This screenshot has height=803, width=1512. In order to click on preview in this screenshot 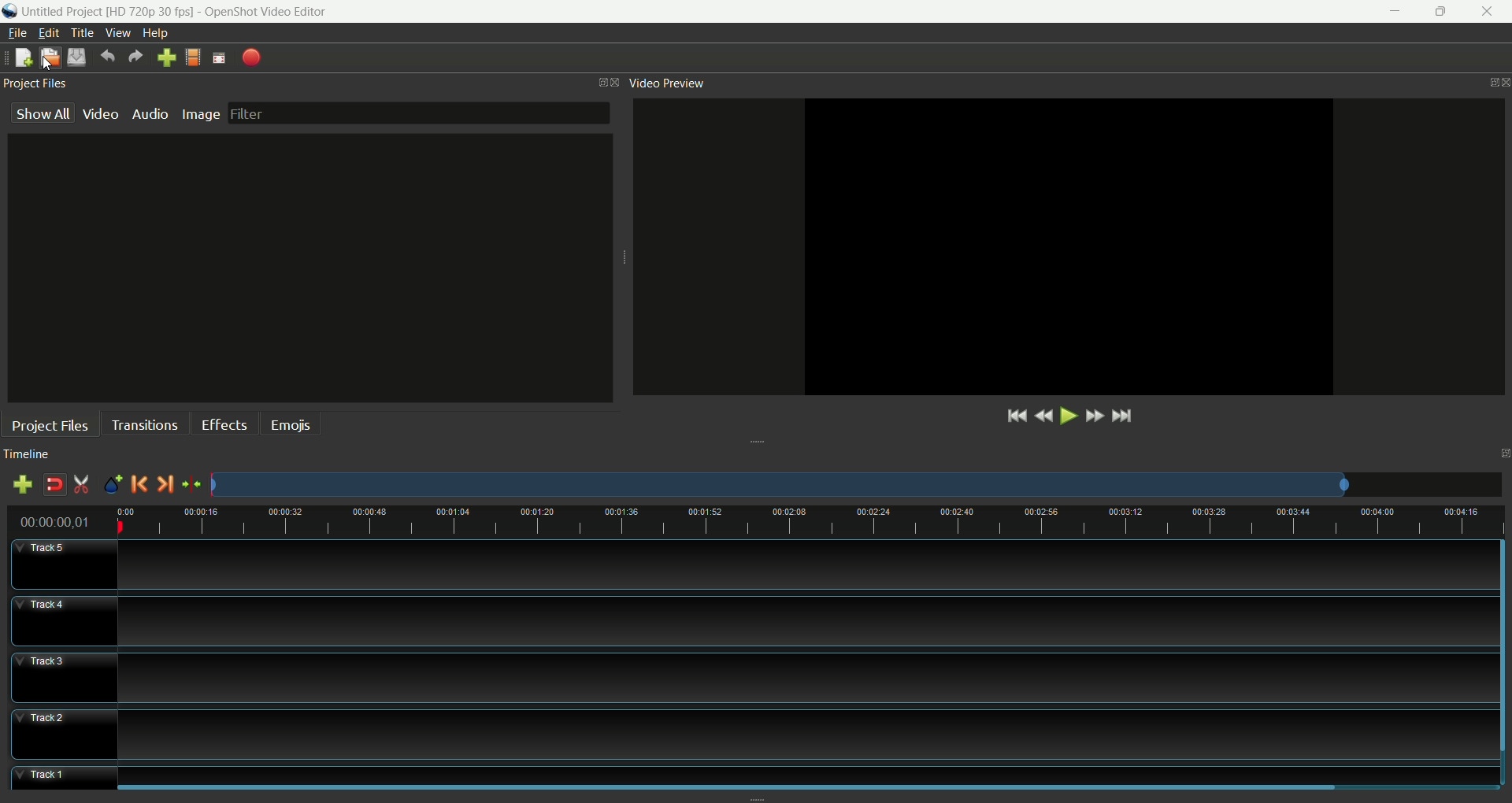, I will do `click(1068, 248)`.